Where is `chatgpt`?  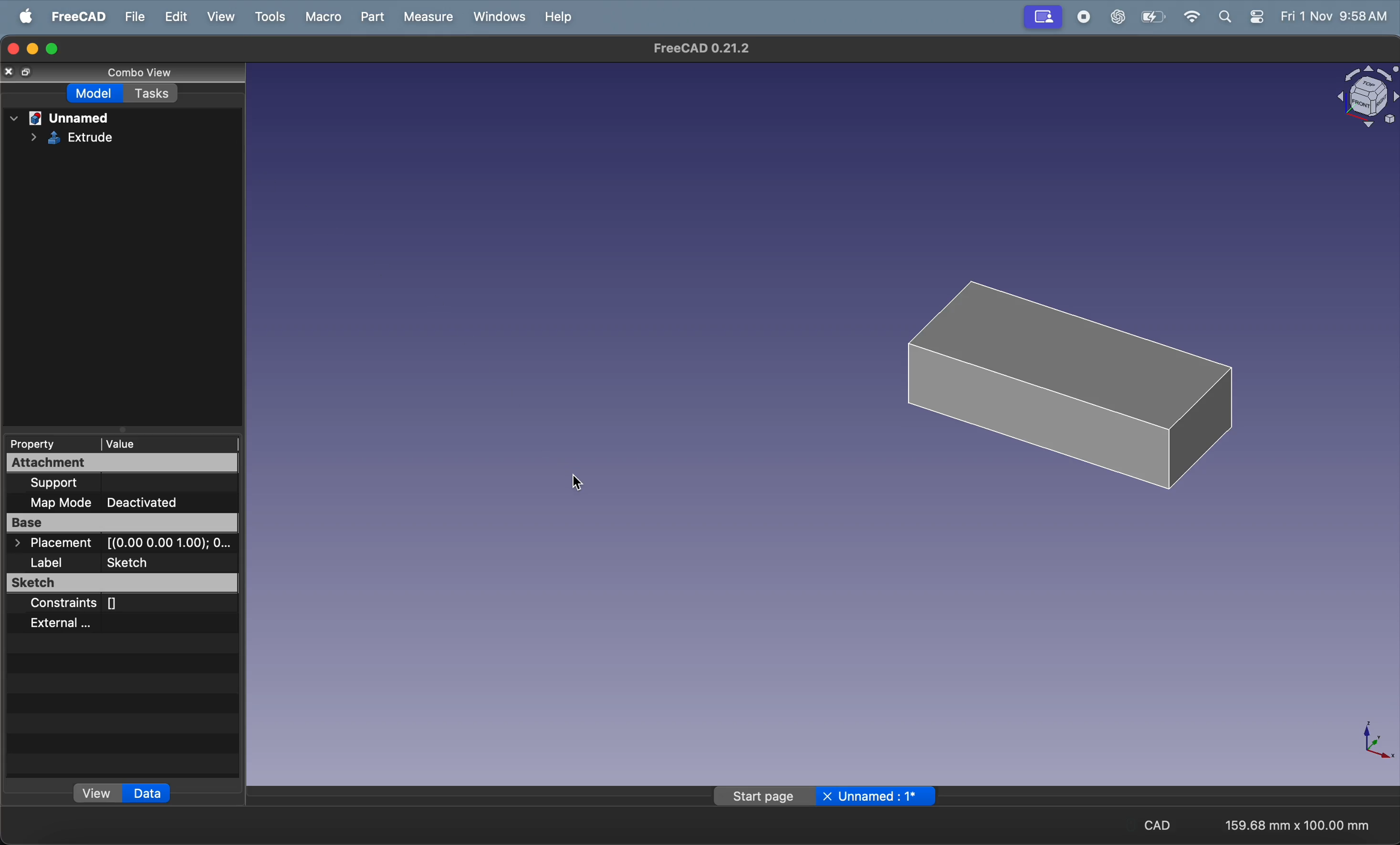
chatgpt is located at coordinates (1116, 16).